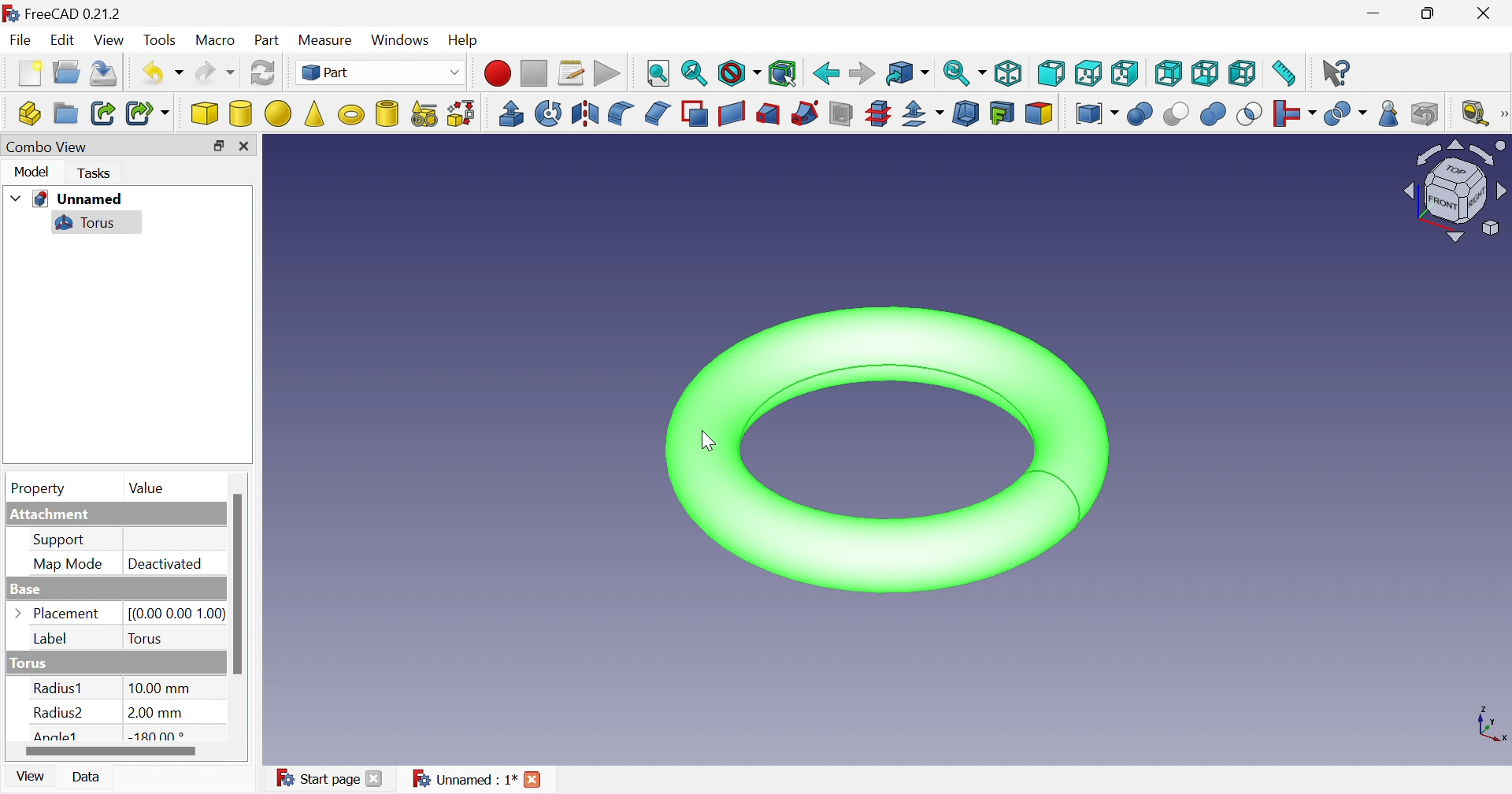 This screenshot has height=794, width=1512. I want to click on Thickness, so click(967, 114).